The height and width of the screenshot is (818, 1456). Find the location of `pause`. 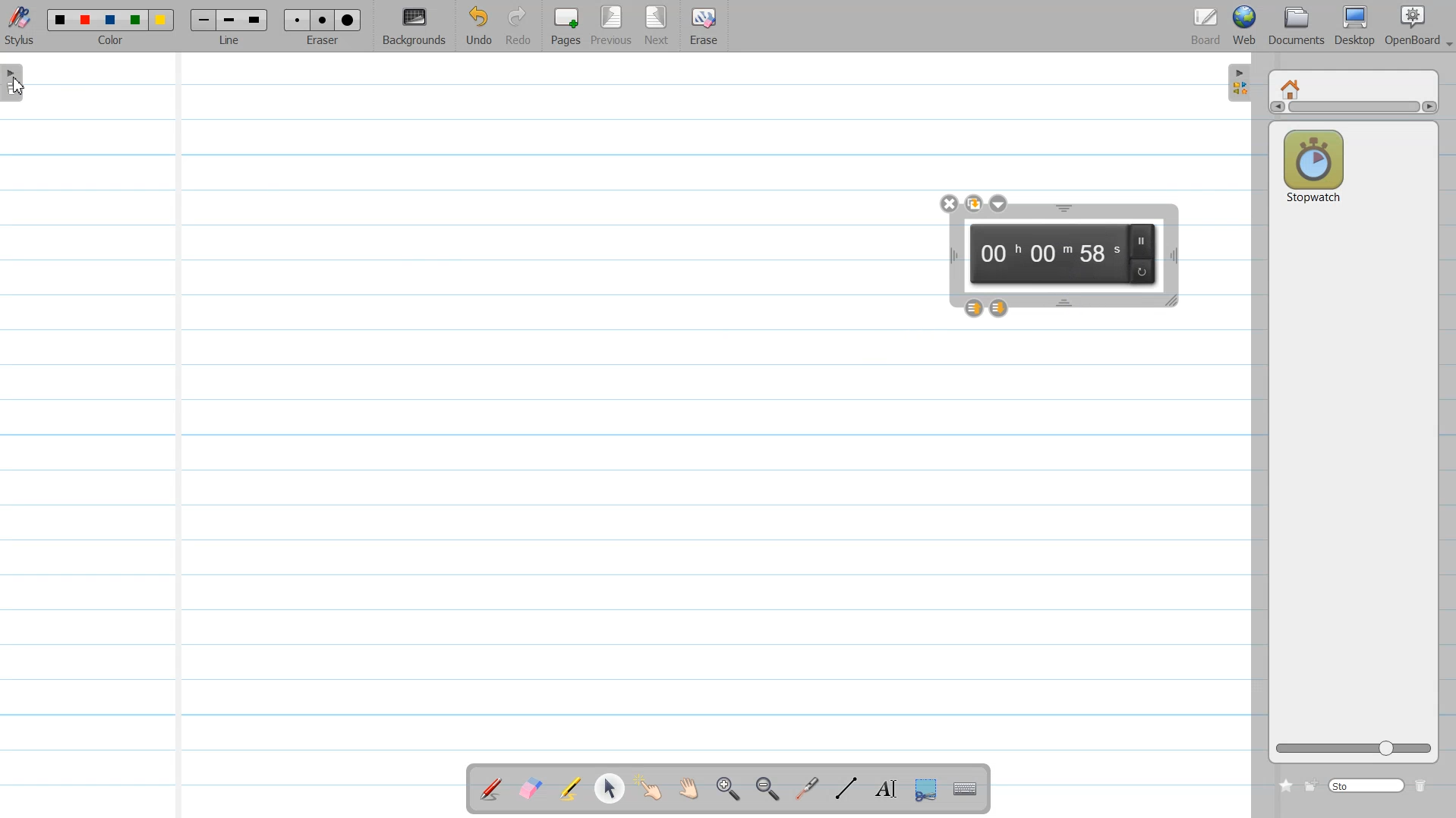

pause is located at coordinates (1146, 240).